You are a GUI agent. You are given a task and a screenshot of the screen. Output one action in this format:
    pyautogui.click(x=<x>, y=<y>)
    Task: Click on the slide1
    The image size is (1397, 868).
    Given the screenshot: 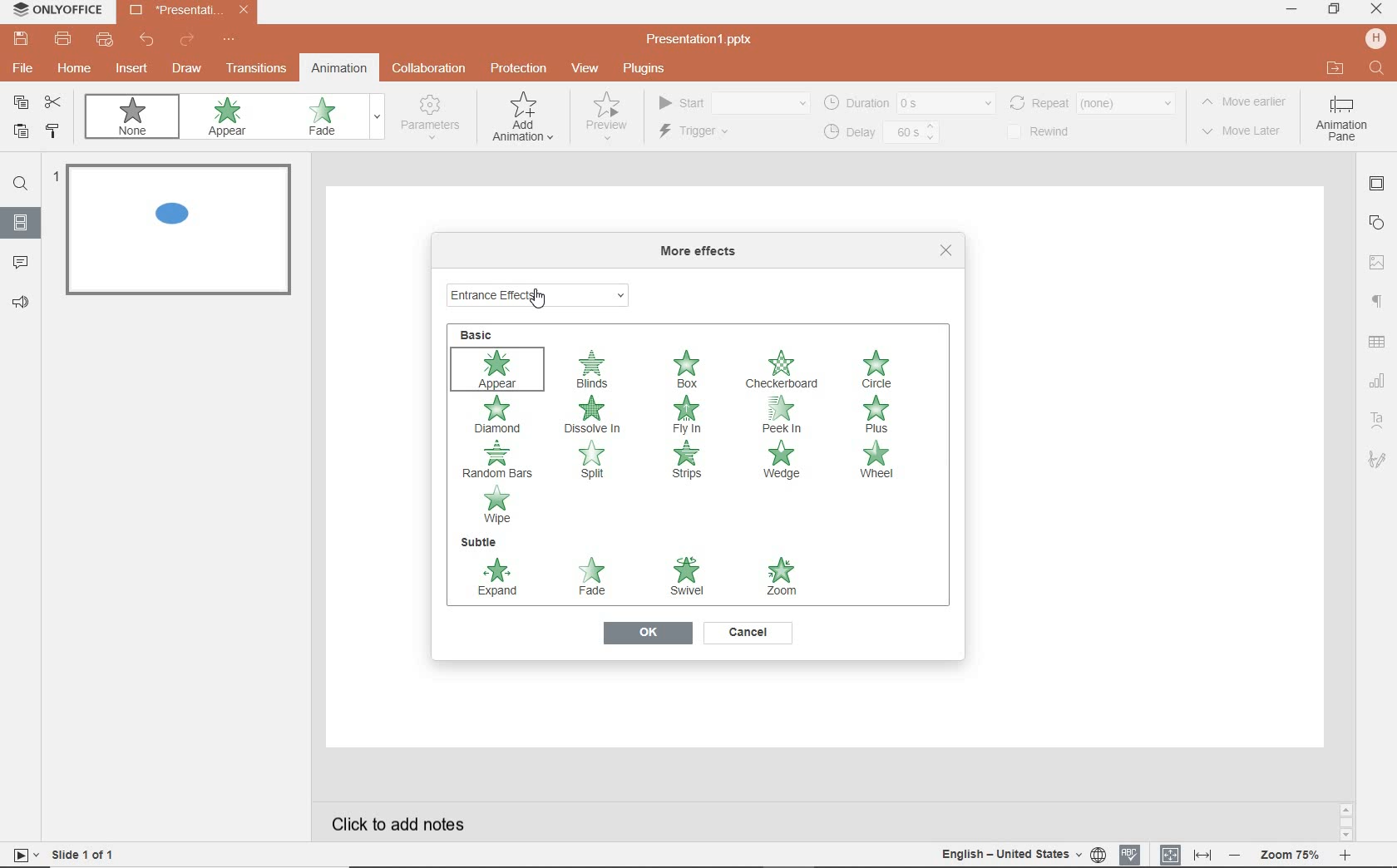 What is the action you would take?
    pyautogui.click(x=183, y=233)
    